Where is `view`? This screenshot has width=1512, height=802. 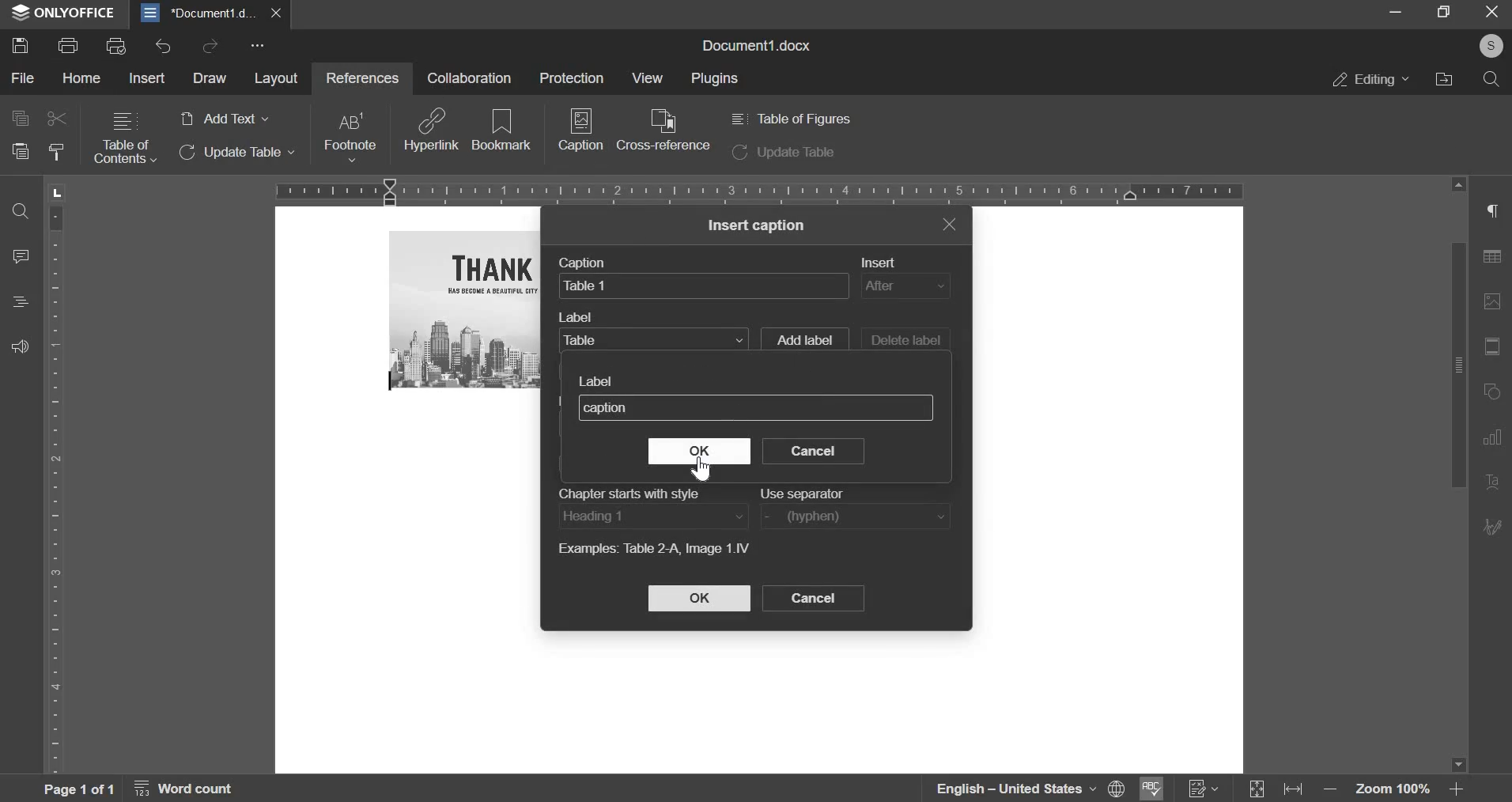
view is located at coordinates (645, 78).